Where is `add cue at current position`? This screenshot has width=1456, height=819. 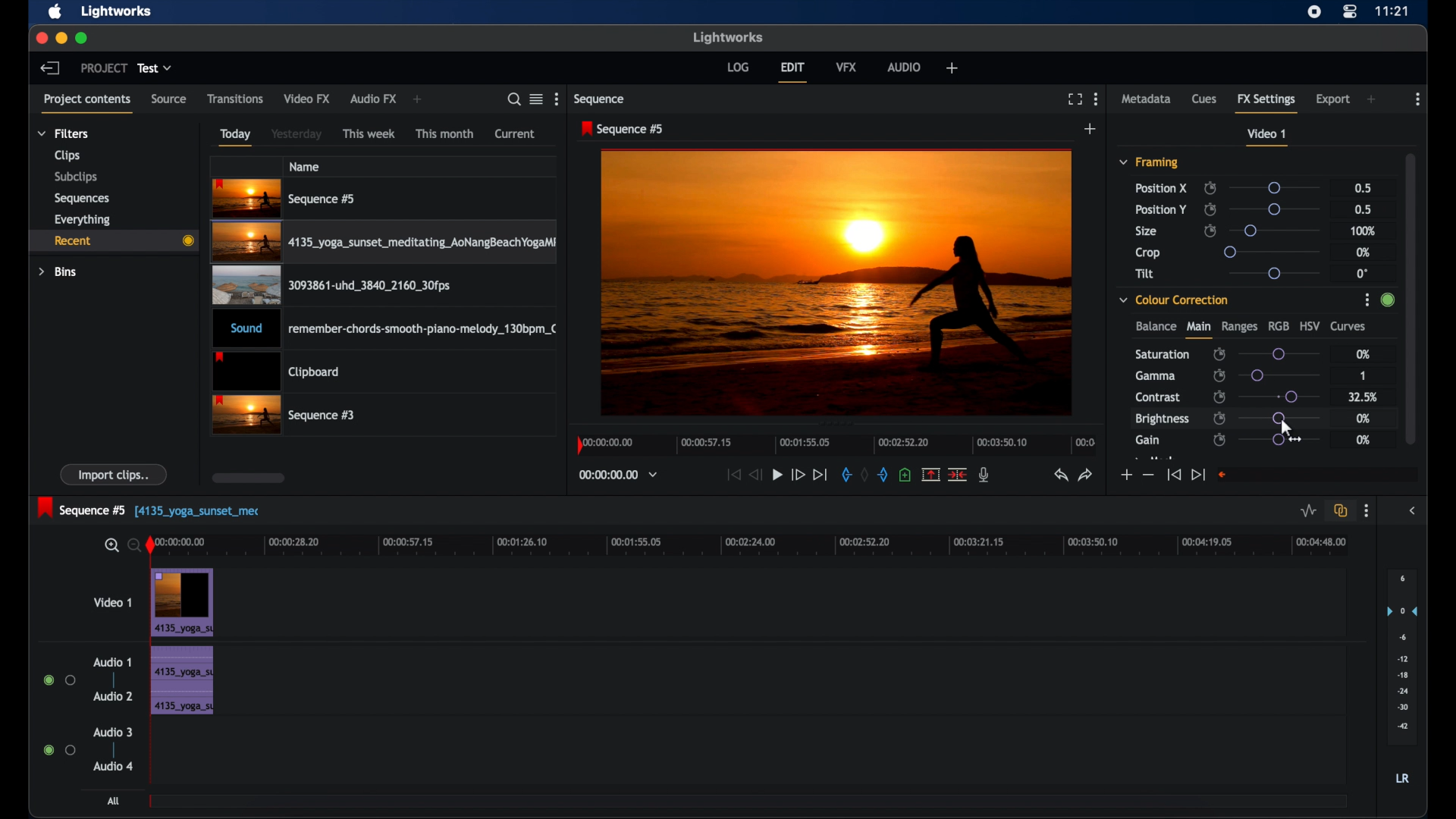 add cue at current position is located at coordinates (905, 475).